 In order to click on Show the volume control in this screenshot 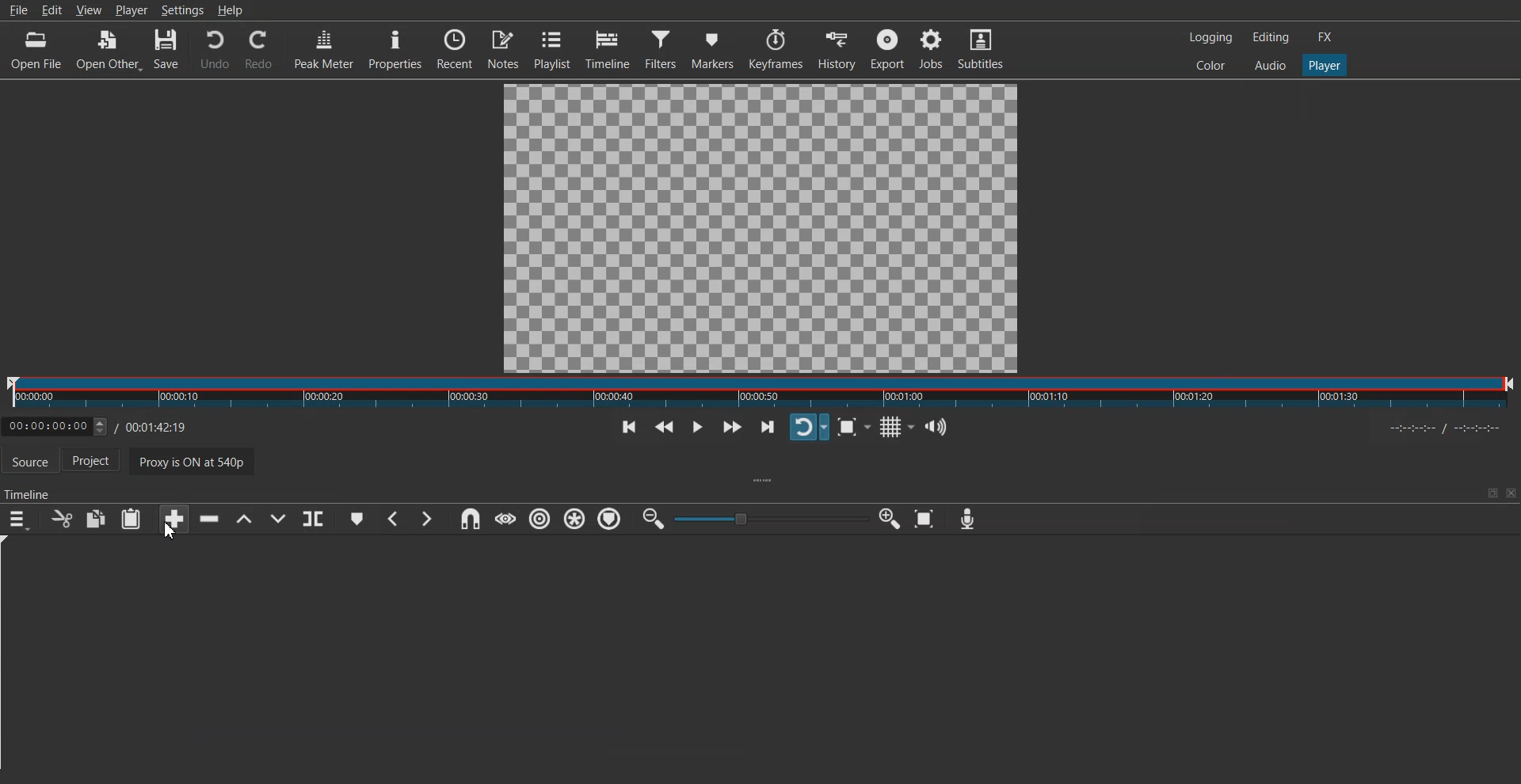, I will do `click(936, 428)`.